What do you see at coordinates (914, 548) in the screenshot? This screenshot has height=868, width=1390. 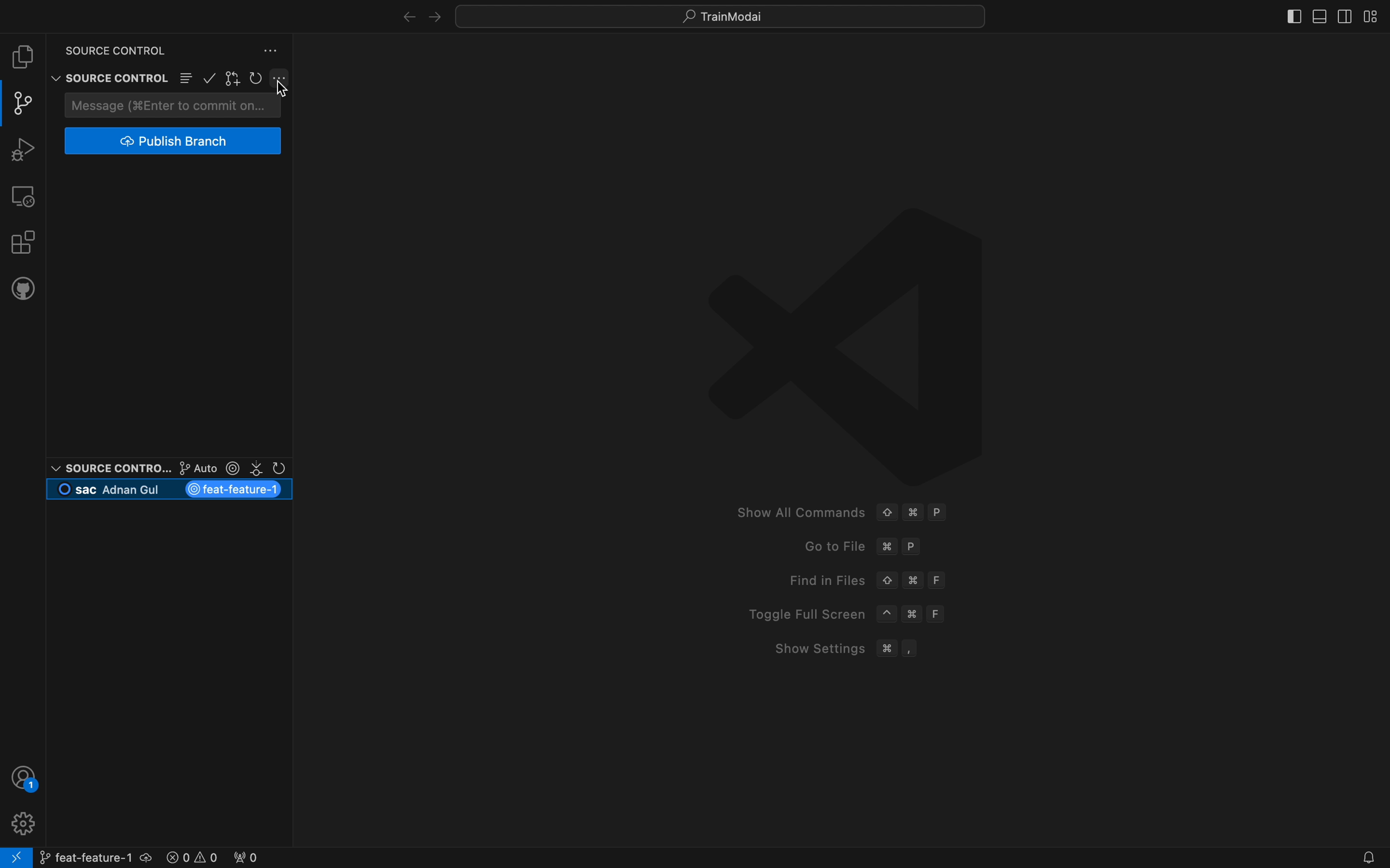 I see `P` at bounding box center [914, 548].